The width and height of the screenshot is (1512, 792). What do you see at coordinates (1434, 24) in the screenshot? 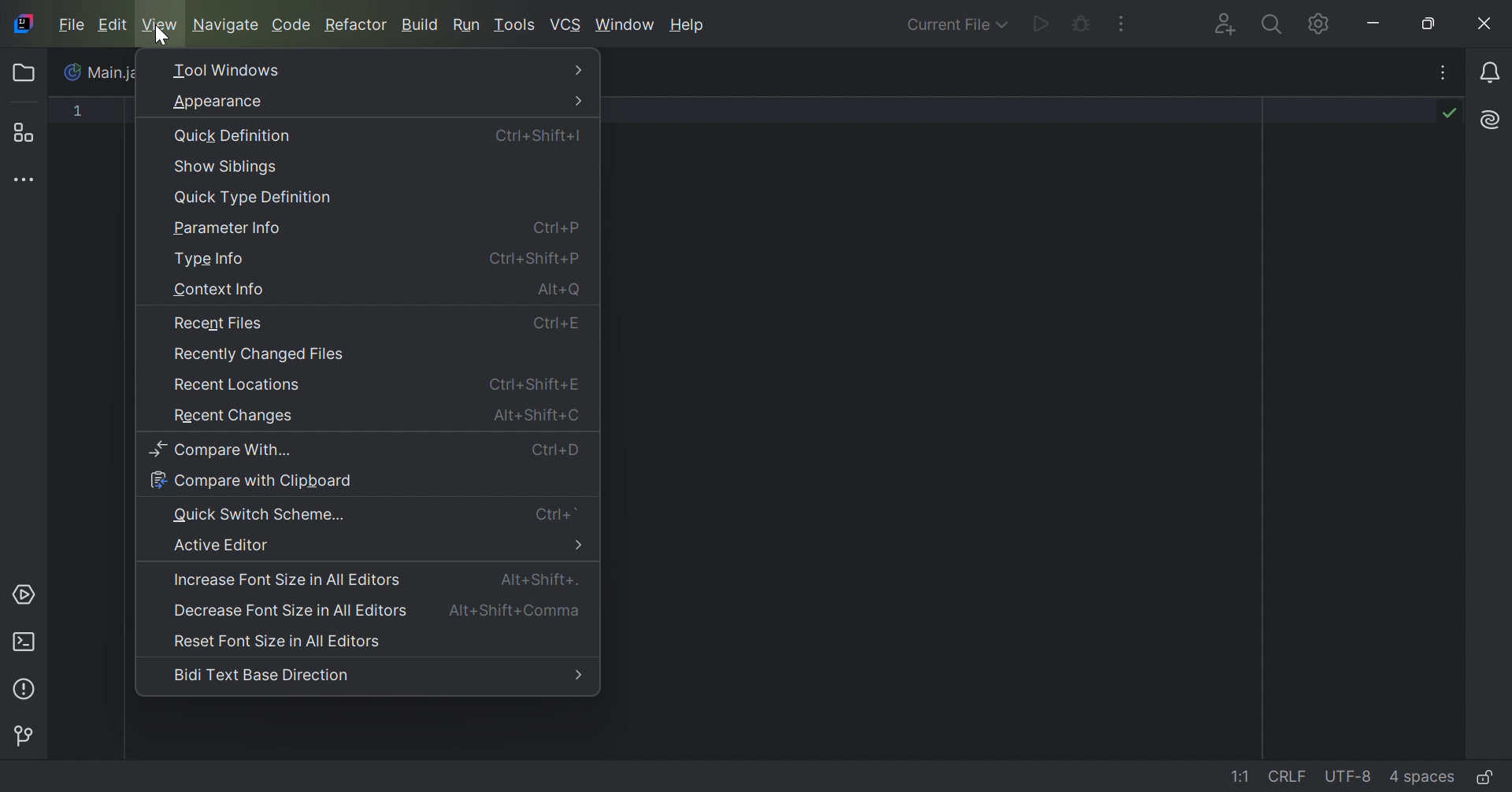
I see `Restore down` at bounding box center [1434, 24].